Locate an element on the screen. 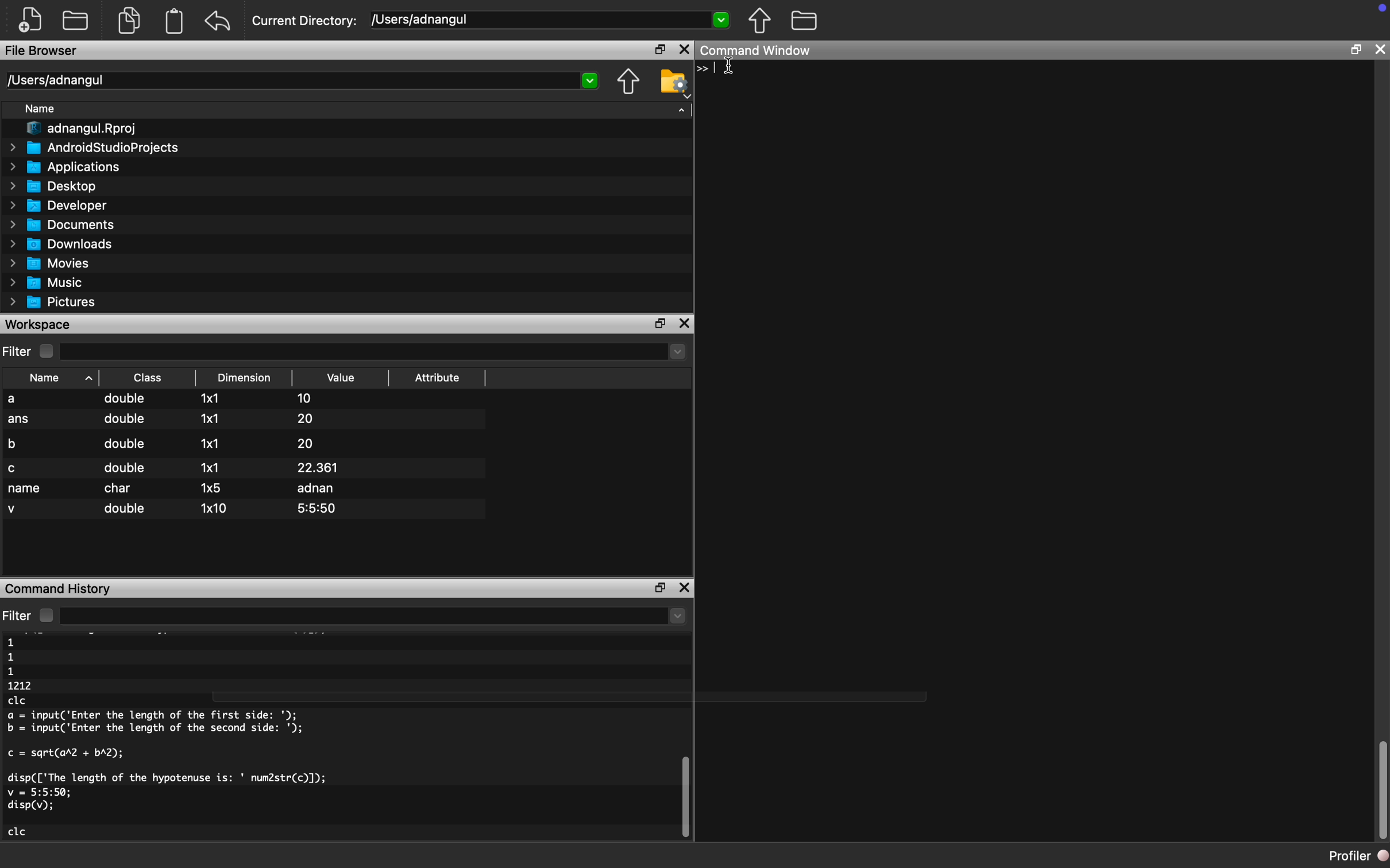  22.361 is located at coordinates (319, 467).